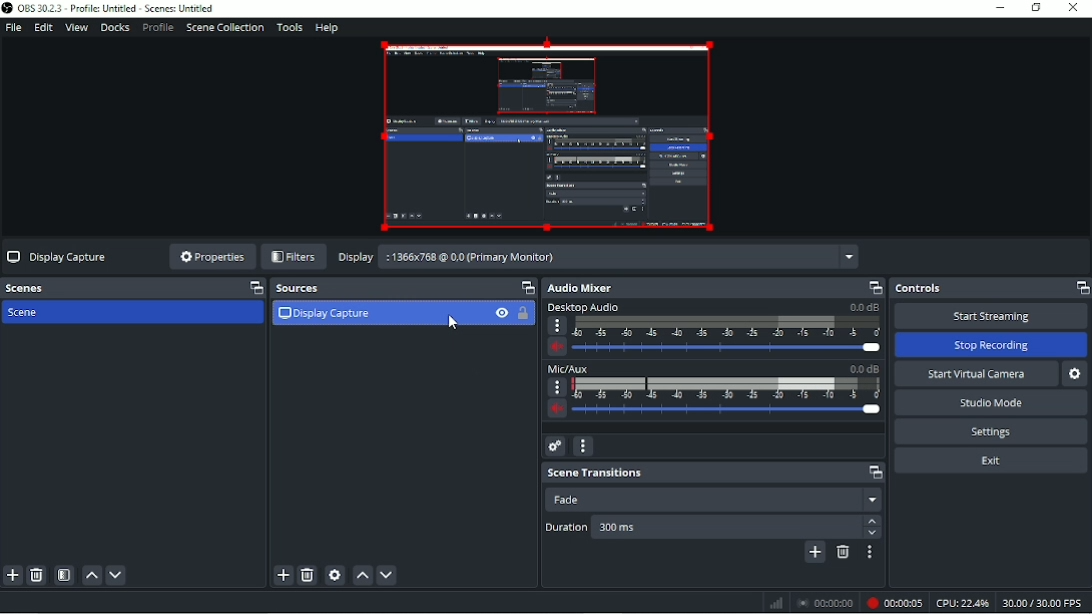 This screenshot has height=614, width=1092. Describe the element at coordinates (872, 553) in the screenshot. I see `Transition properties` at that location.